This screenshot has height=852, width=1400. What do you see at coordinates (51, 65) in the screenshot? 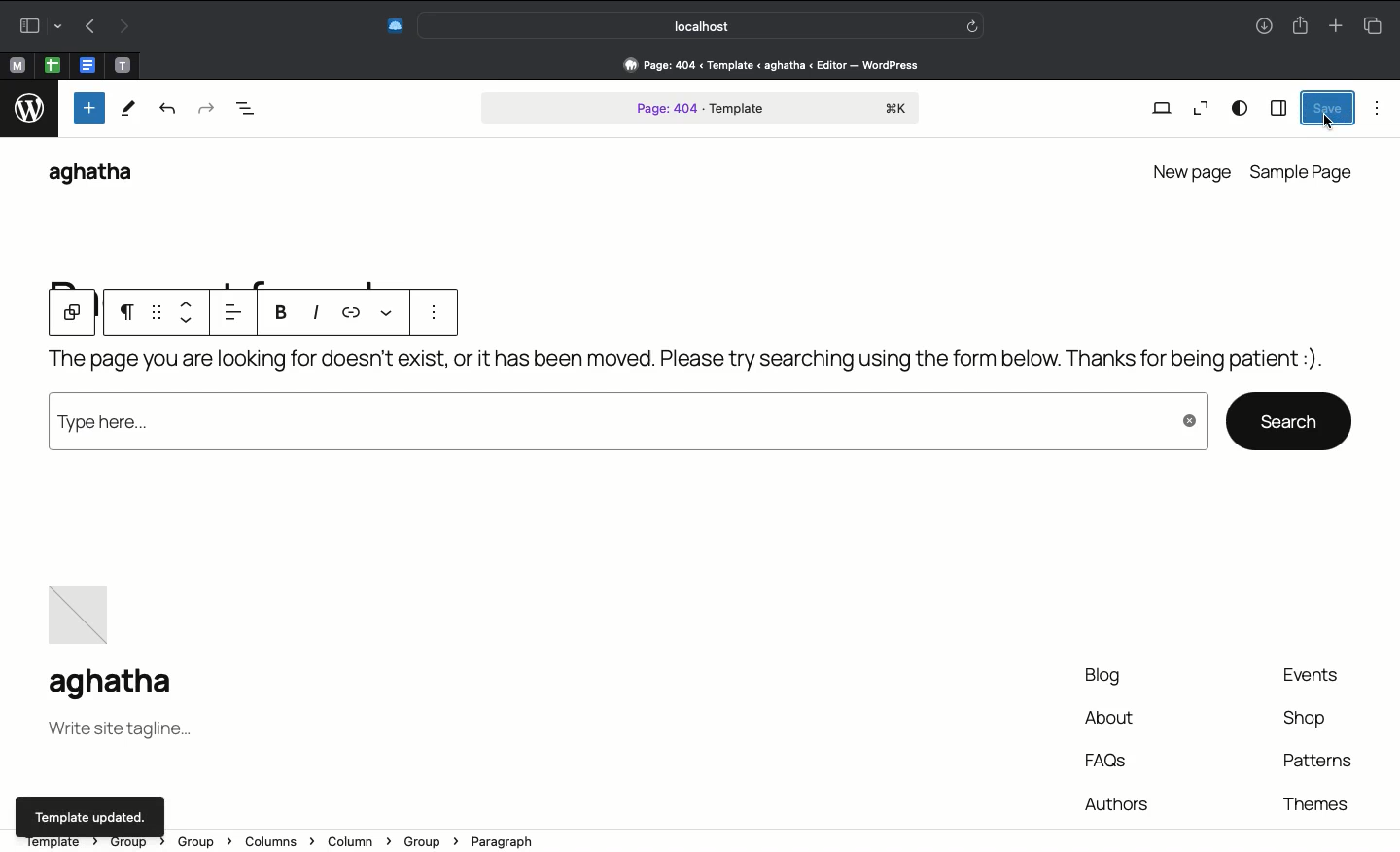
I see `open tab, google sheet` at bounding box center [51, 65].